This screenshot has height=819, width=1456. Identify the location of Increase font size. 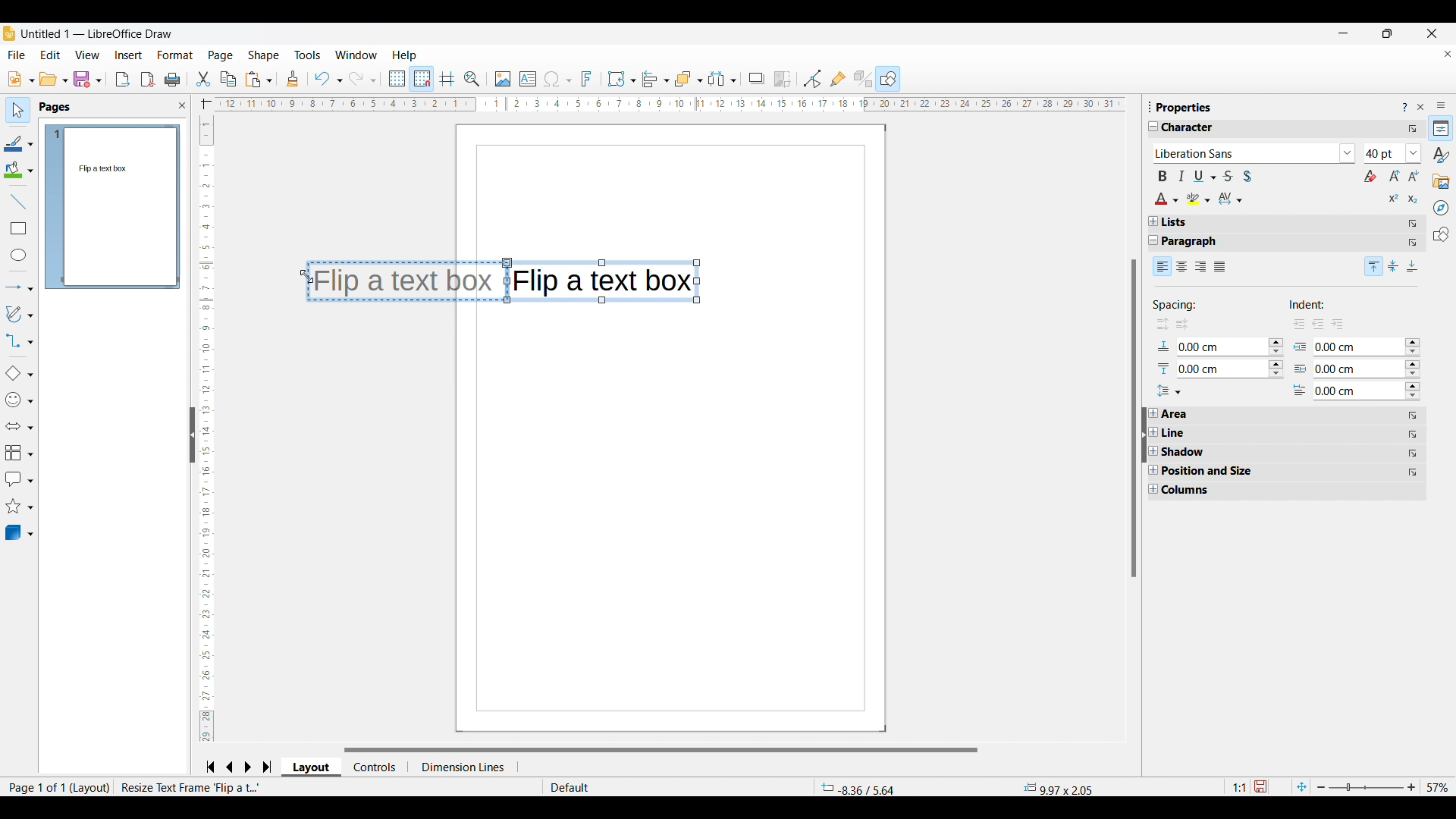
(1395, 175).